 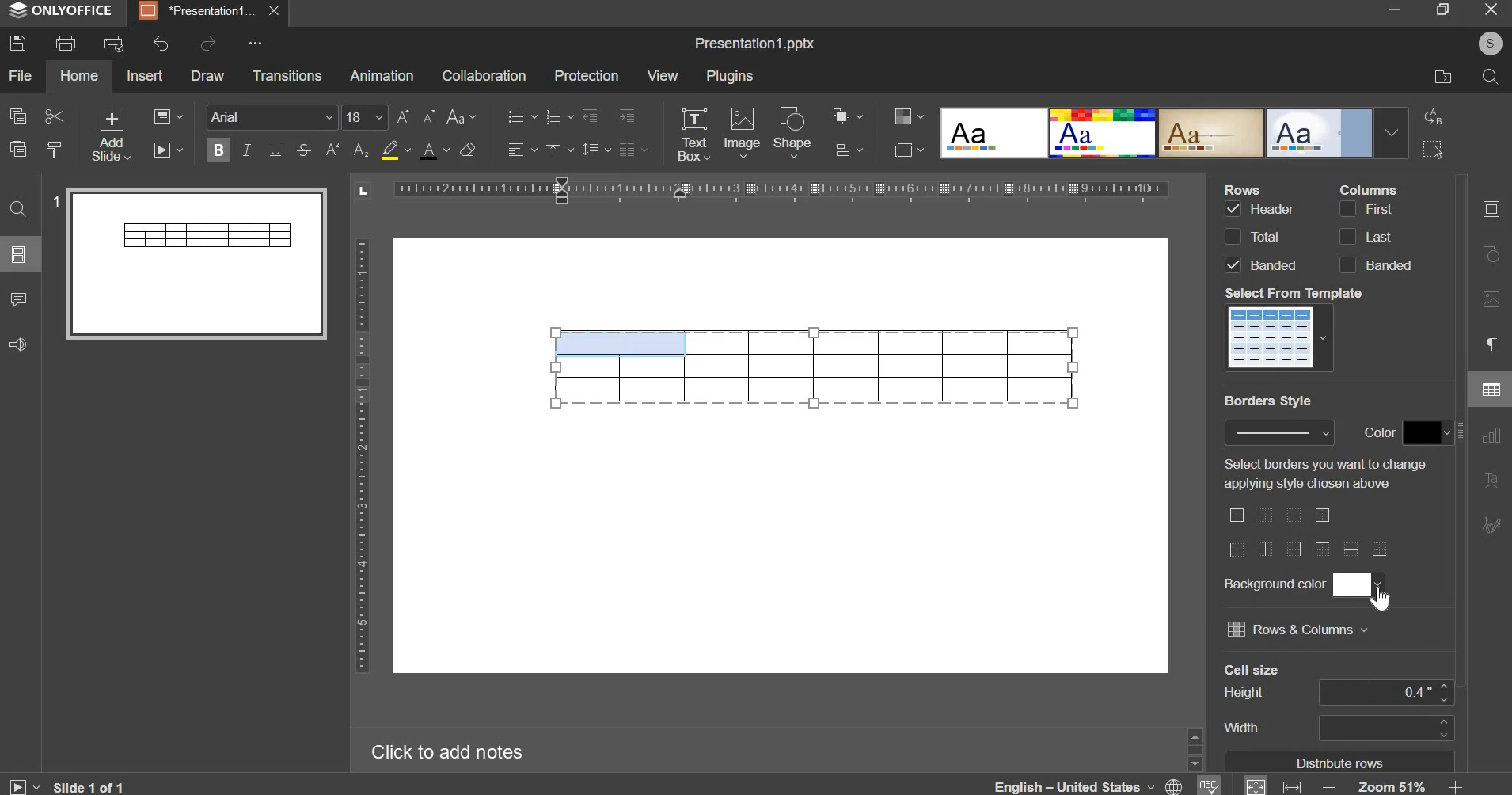 What do you see at coordinates (17, 43) in the screenshot?
I see `save` at bounding box center [17, 43].